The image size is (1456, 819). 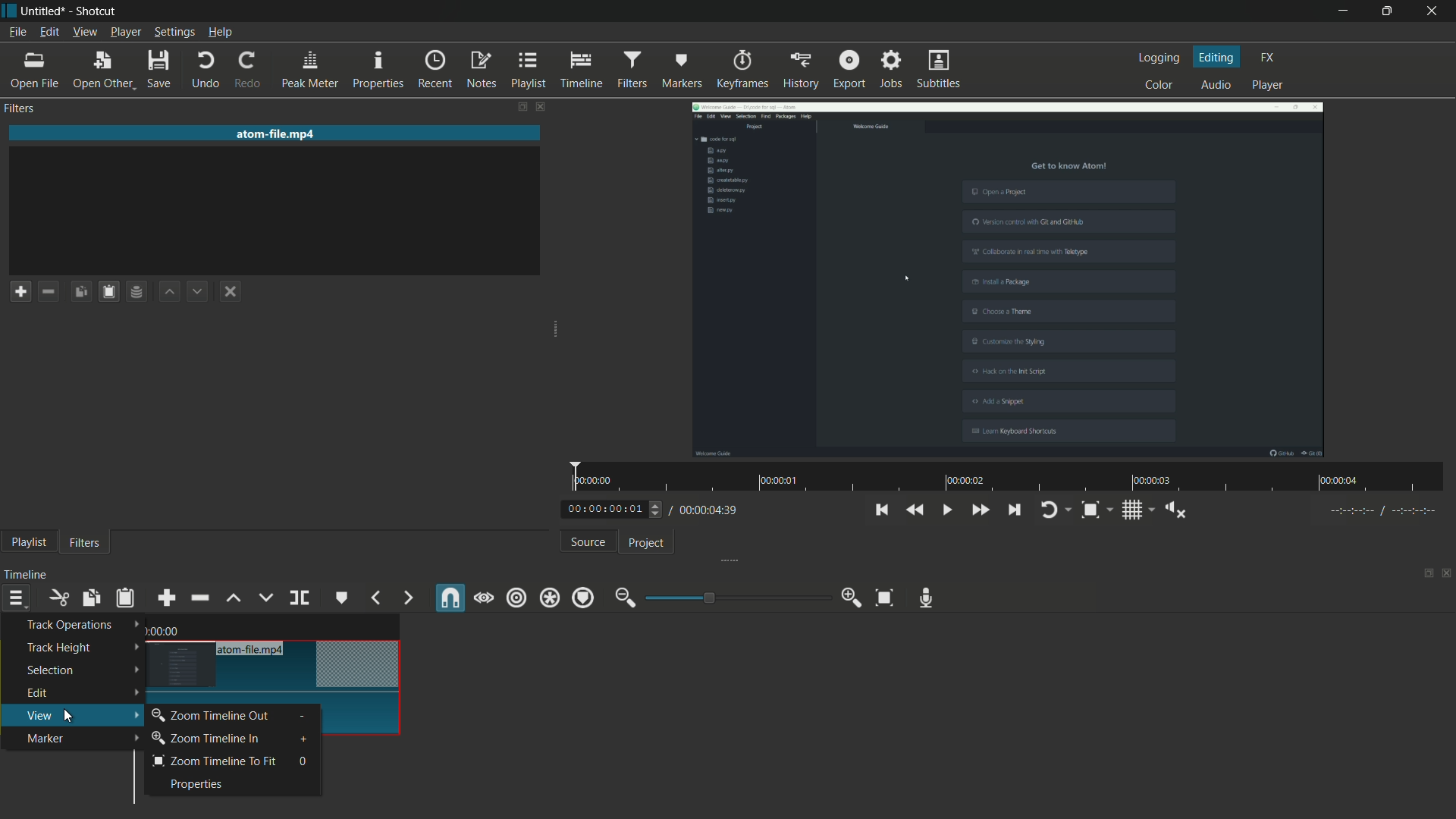 I want to click on close timeline, so click(x=1447, y=573).